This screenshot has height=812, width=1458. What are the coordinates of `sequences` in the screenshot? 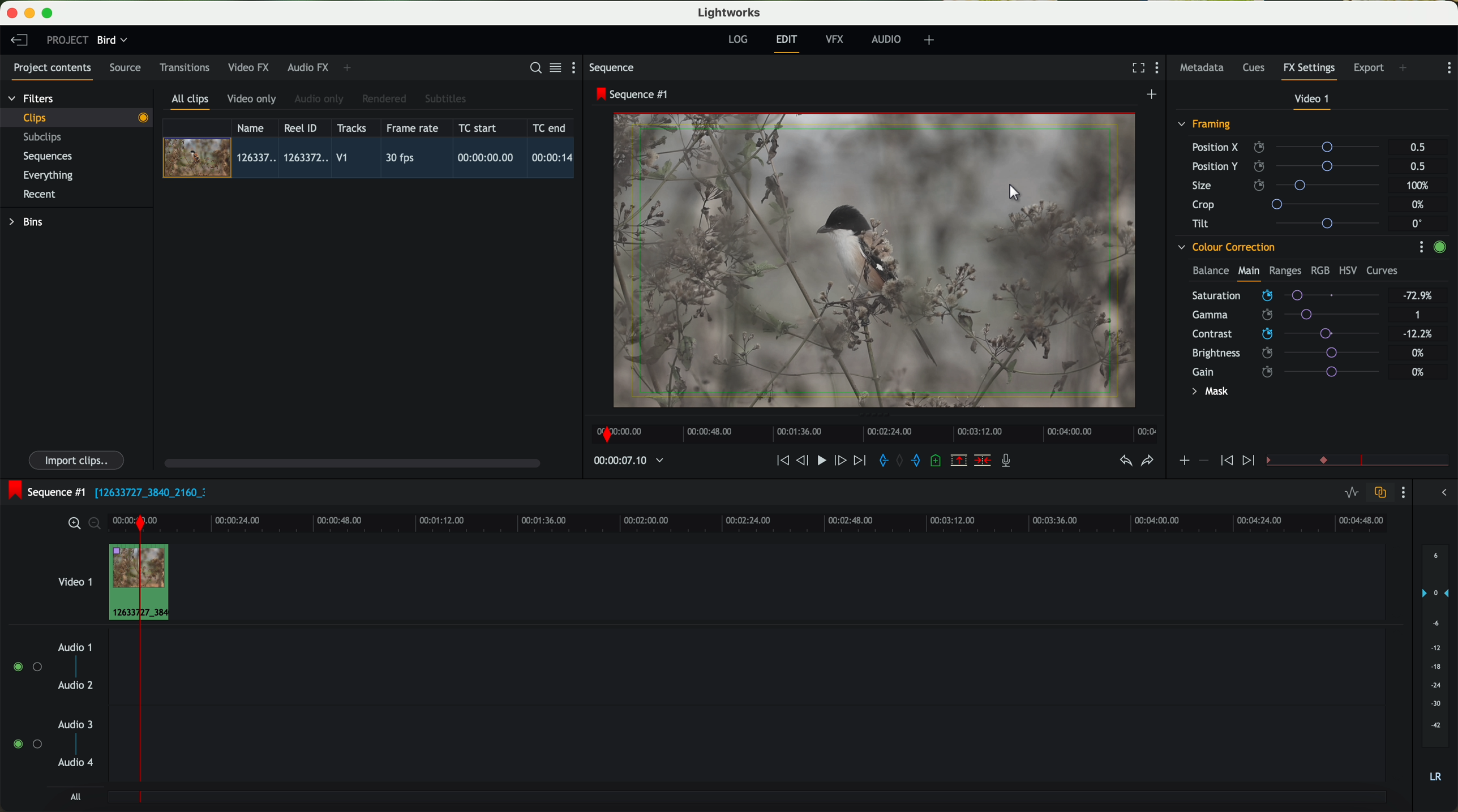 It's located at (48, 157).